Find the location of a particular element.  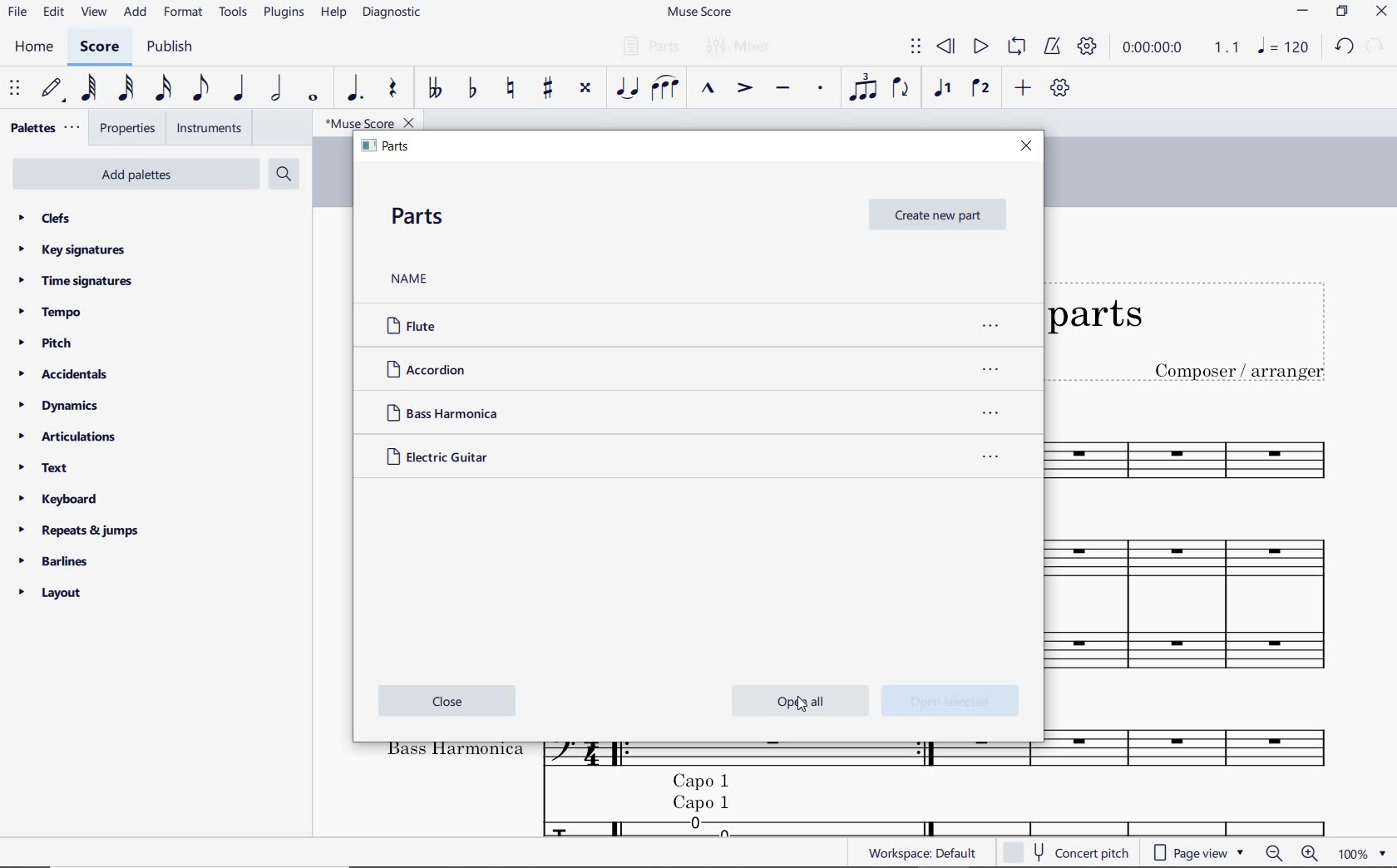

loop playback is located at coordinates (1016, 48).